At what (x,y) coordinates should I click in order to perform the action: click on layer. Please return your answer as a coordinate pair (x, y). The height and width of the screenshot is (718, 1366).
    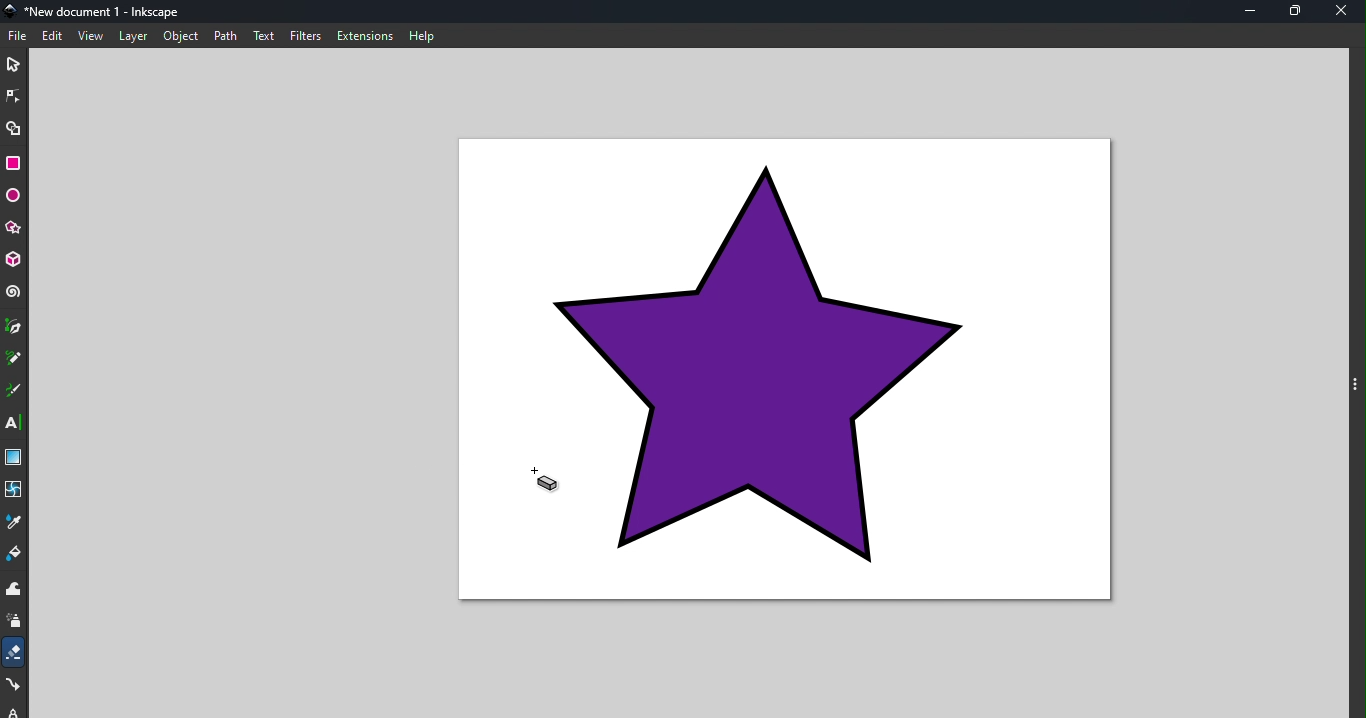
    Looking at the image, I should click on (133, 36).